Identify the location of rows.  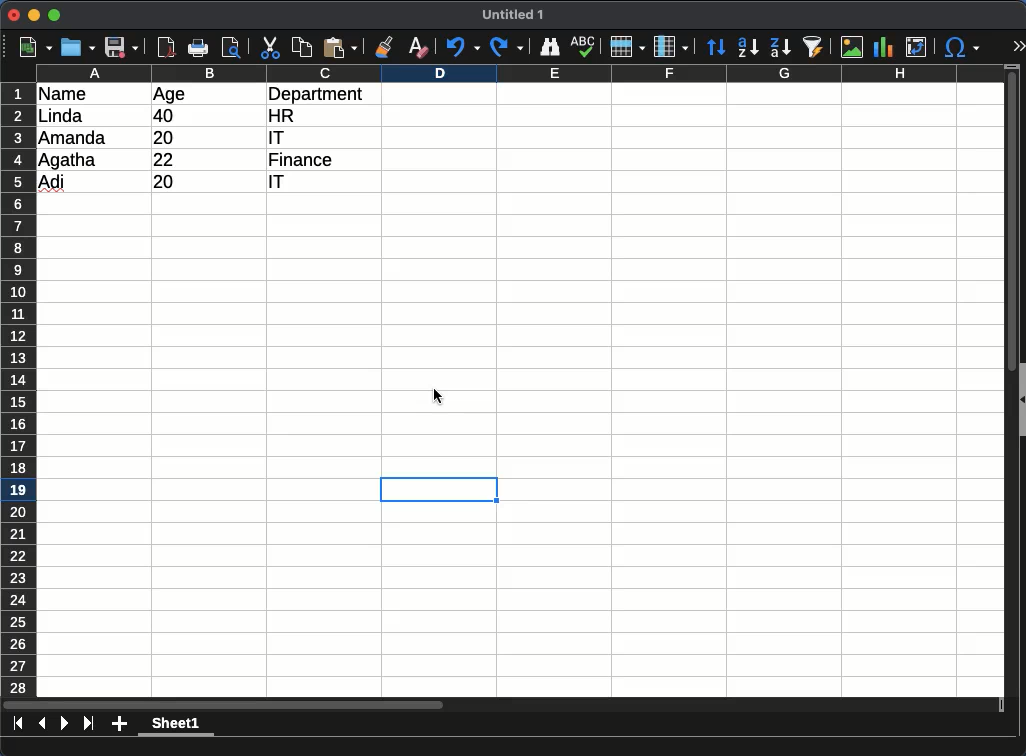
(626, 47).